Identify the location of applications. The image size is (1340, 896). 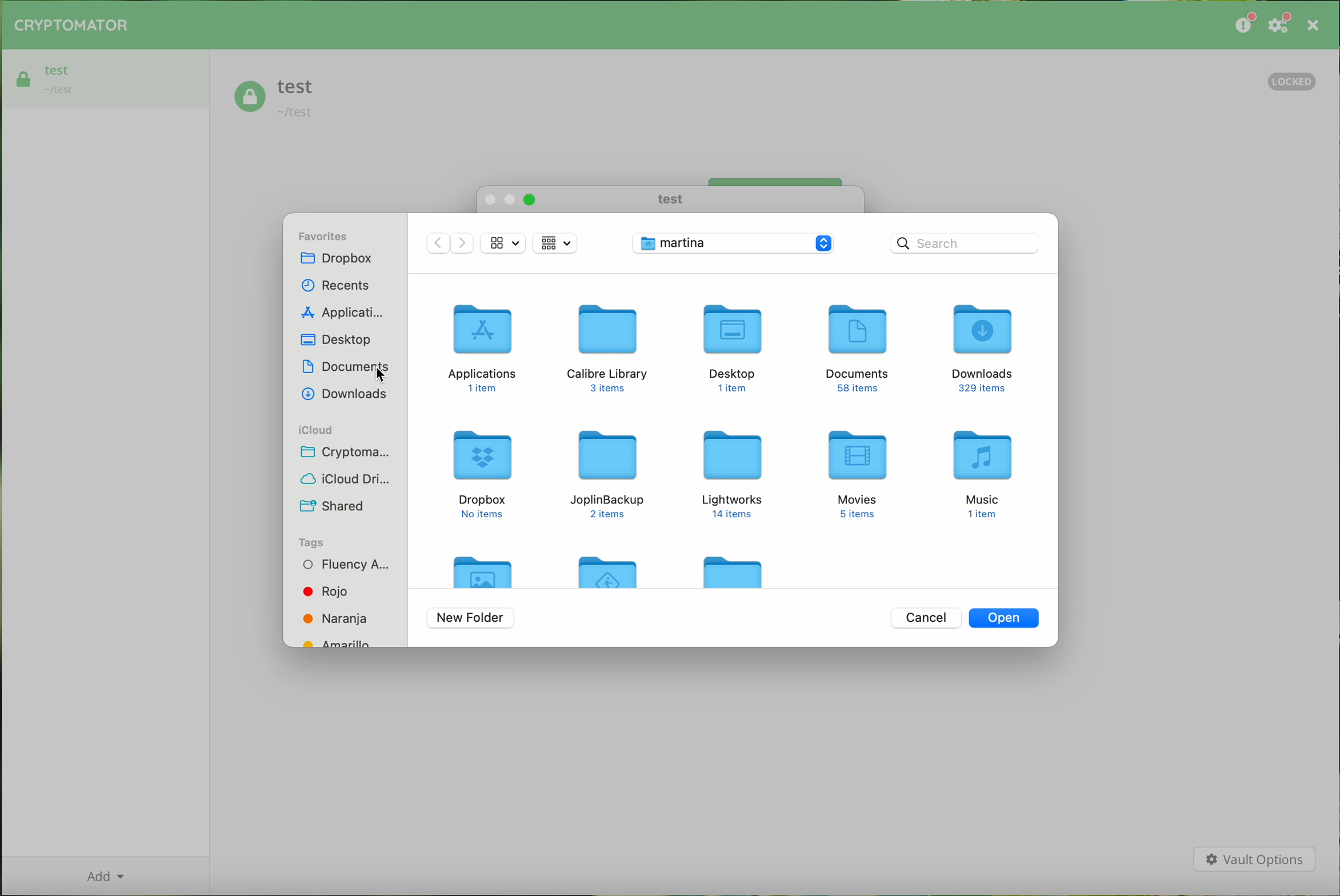
(339, 313).